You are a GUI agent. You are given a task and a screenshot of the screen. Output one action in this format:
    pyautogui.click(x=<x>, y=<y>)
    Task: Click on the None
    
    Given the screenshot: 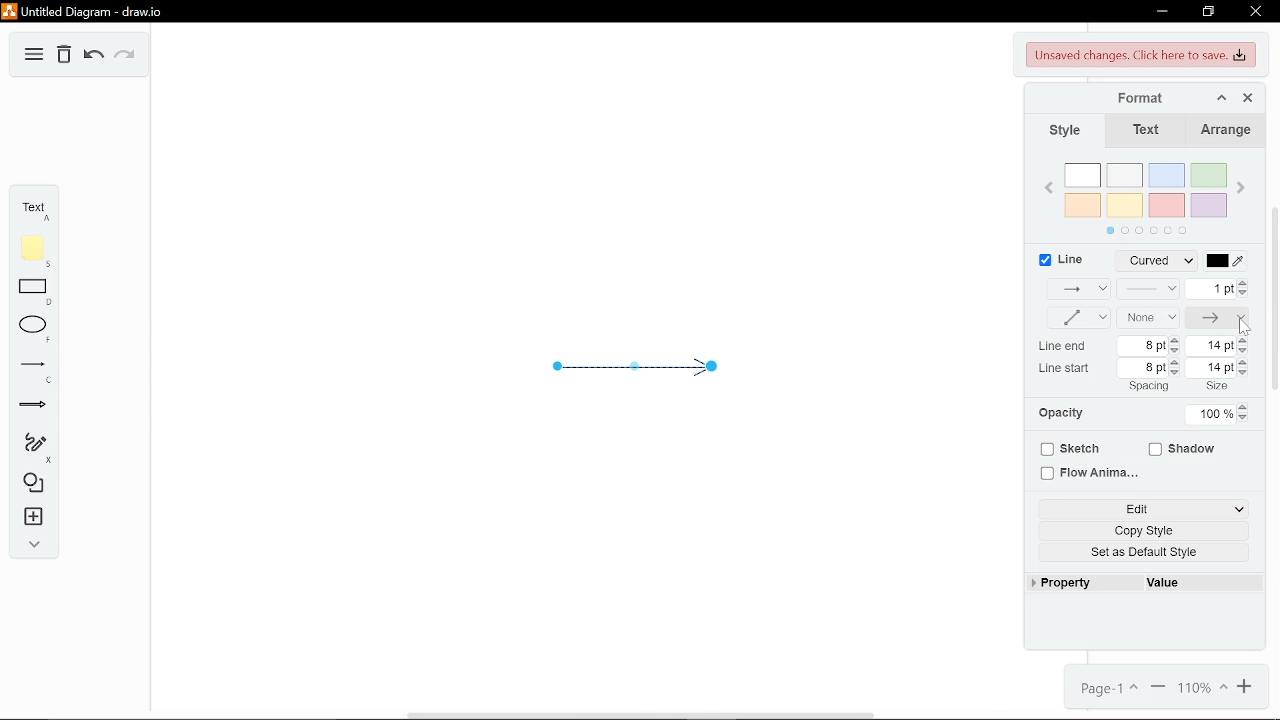 What is the action you would take?
    pyautogui.click(x=1150, y=319)
    